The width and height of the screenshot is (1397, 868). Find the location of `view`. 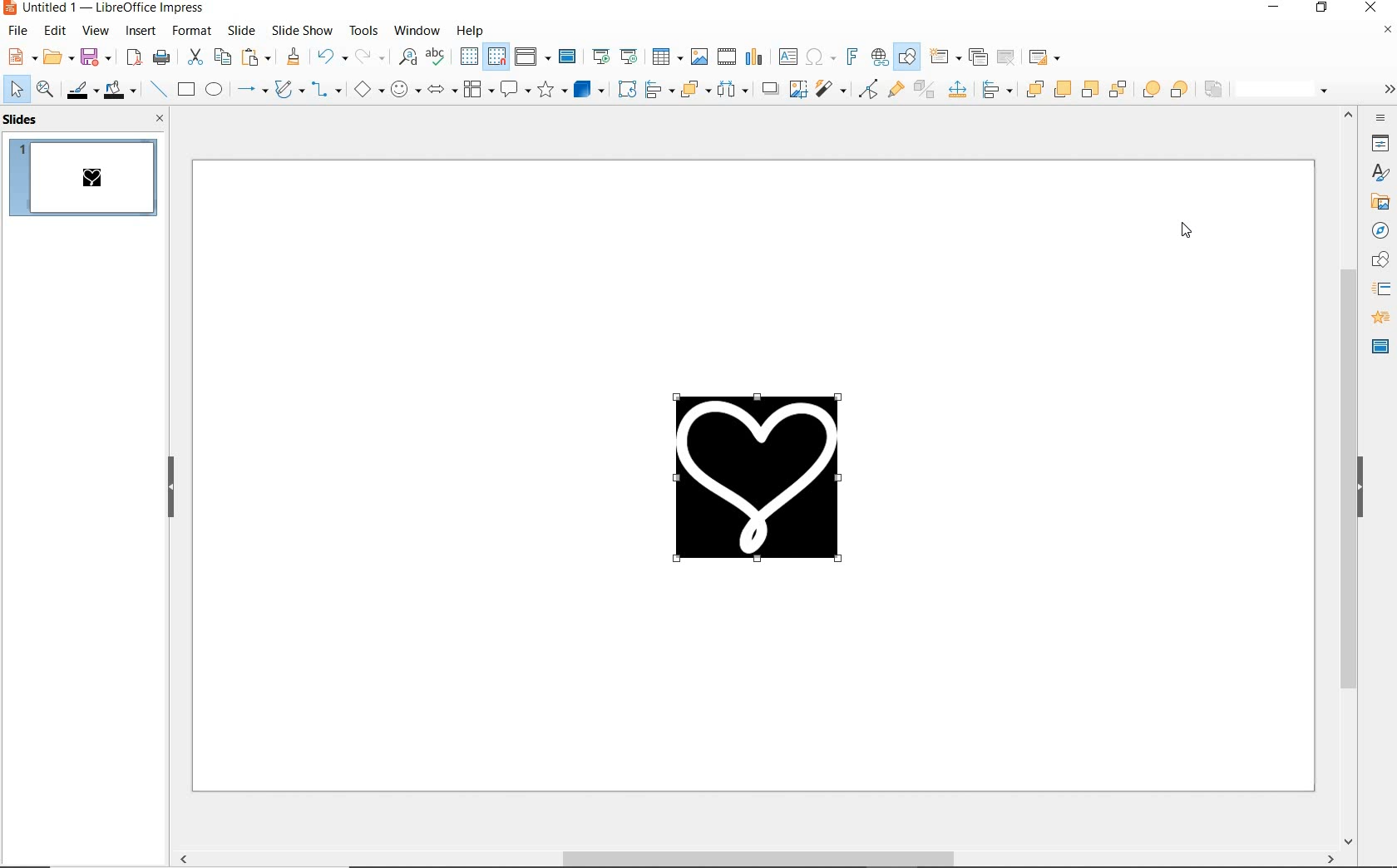

view is located at coordinates (96, 32).